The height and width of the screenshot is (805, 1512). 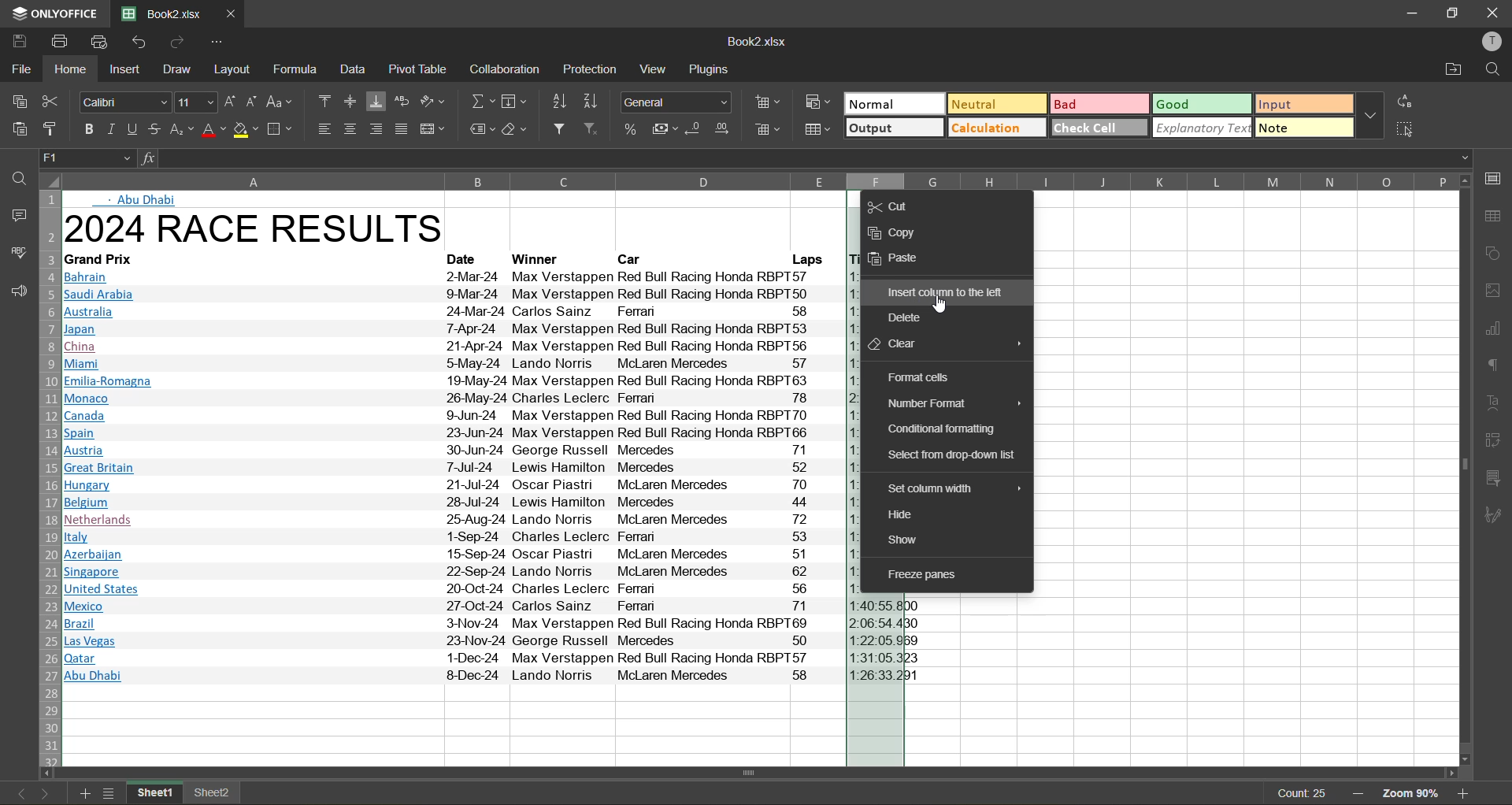 I want to click on quick print, so click(x=102, y=43).